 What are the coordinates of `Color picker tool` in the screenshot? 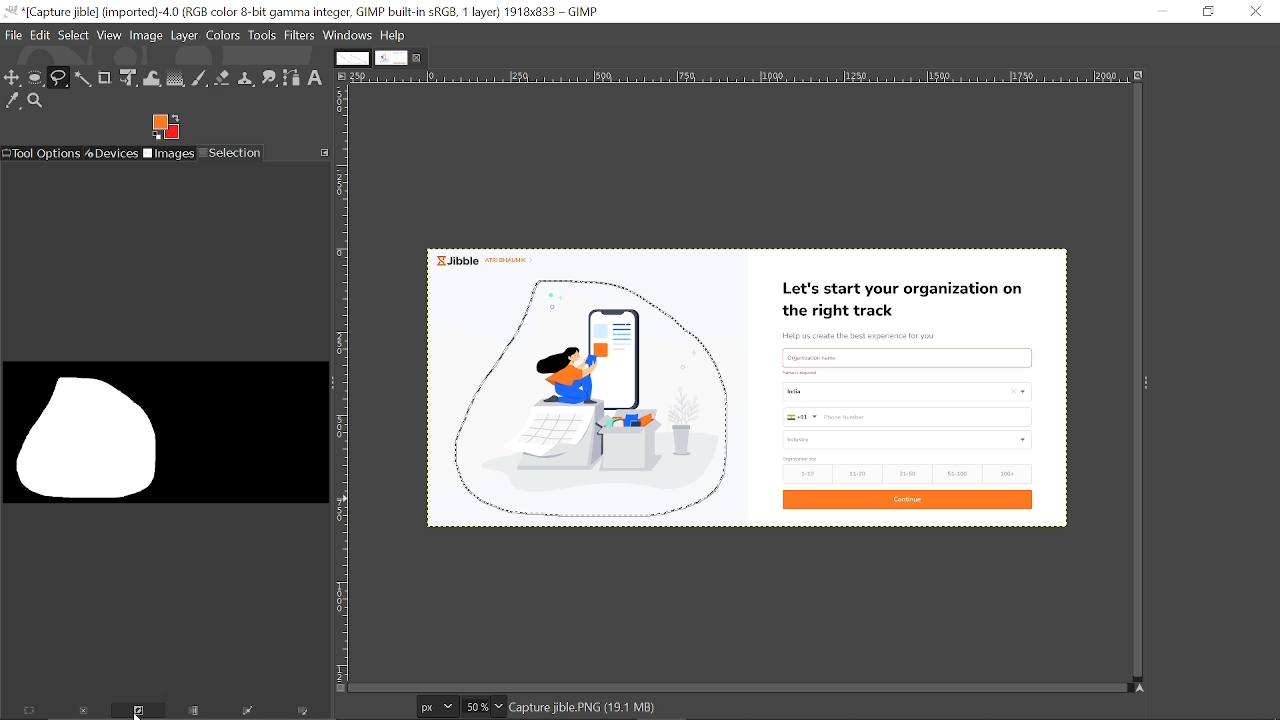 It's located at (12, 100).